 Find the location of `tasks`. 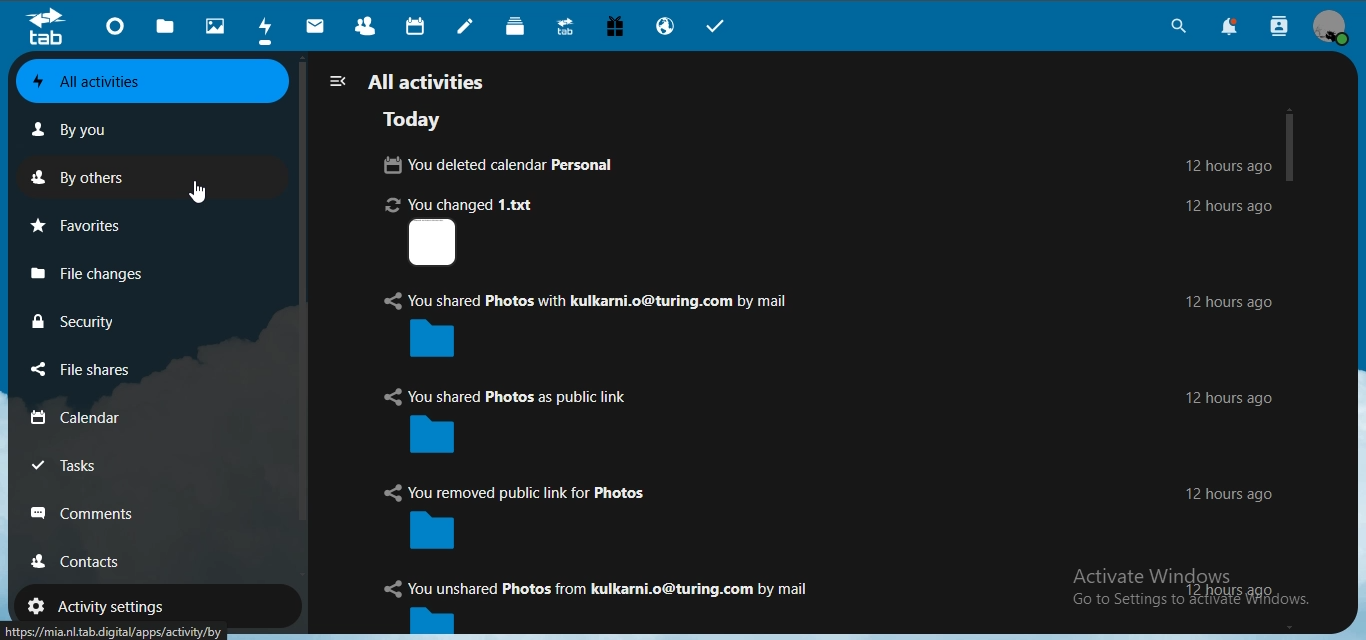

tasks is located at coordinates (720, 27).